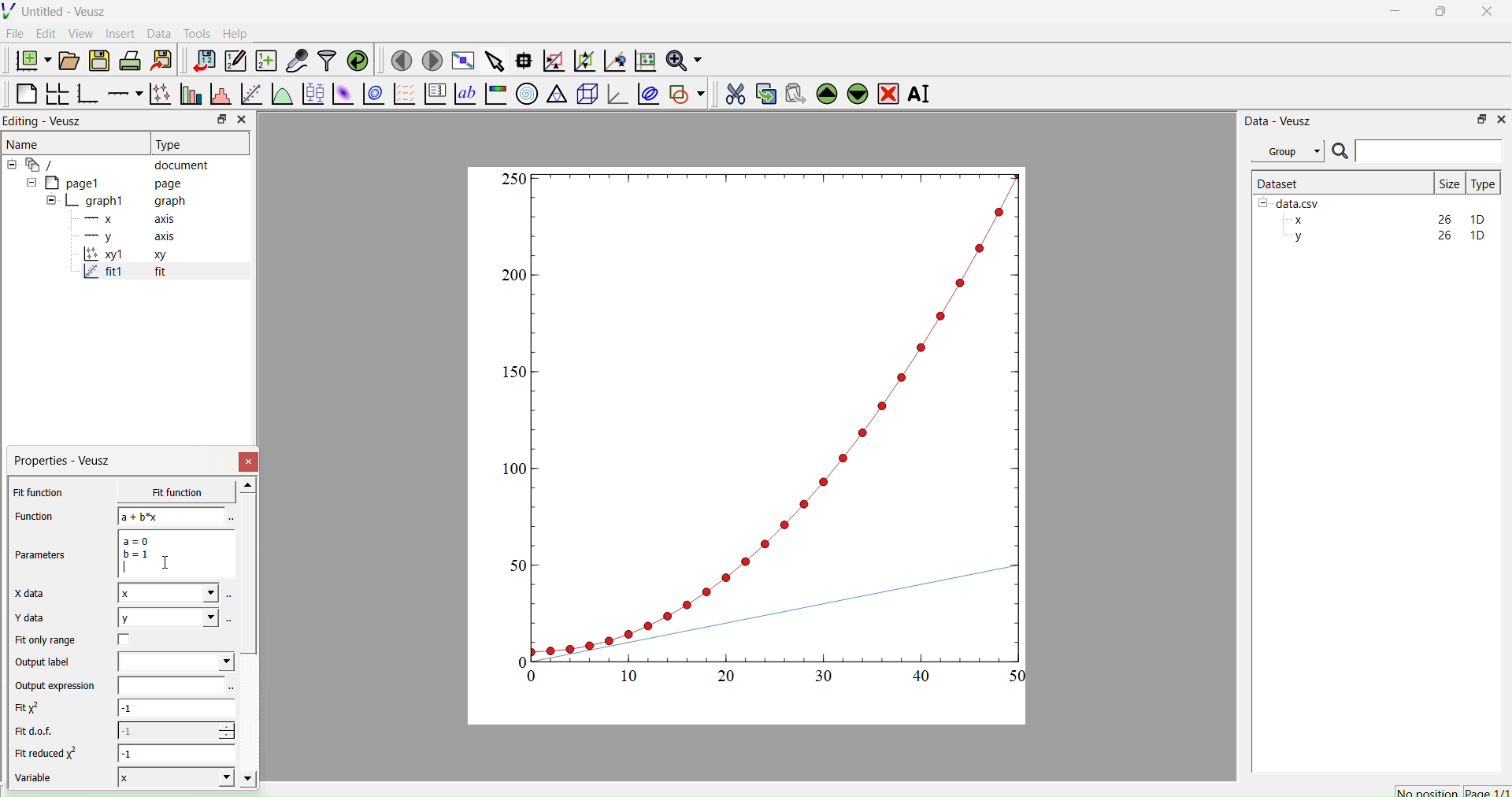 The image size is (1512, 797). What do you see at coordinates (130, 59) in the screenshot?
I see `Print the document` at bounding box center [130, 59].